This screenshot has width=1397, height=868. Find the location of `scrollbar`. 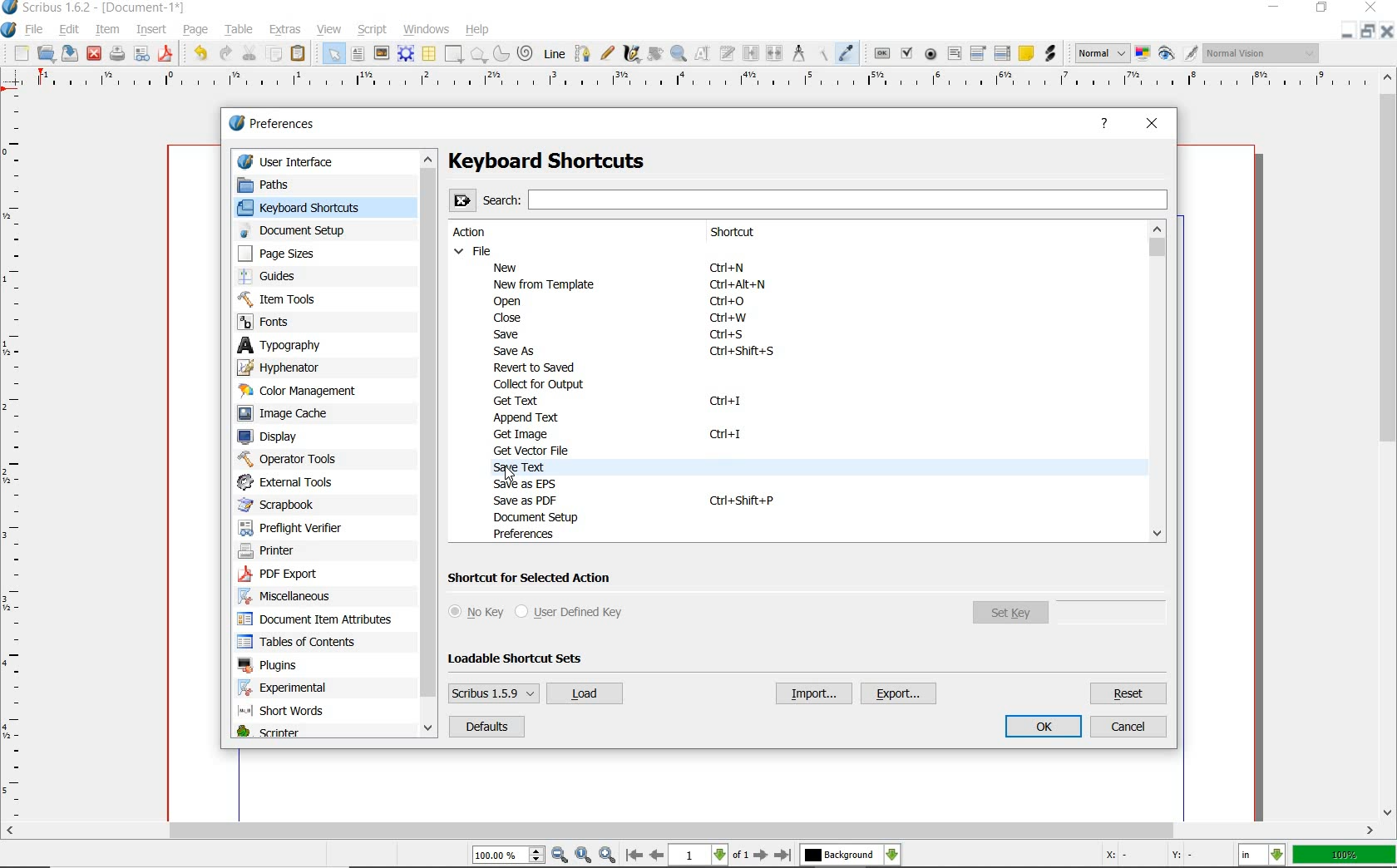

scrollbar is located at coordinates (689, 832).